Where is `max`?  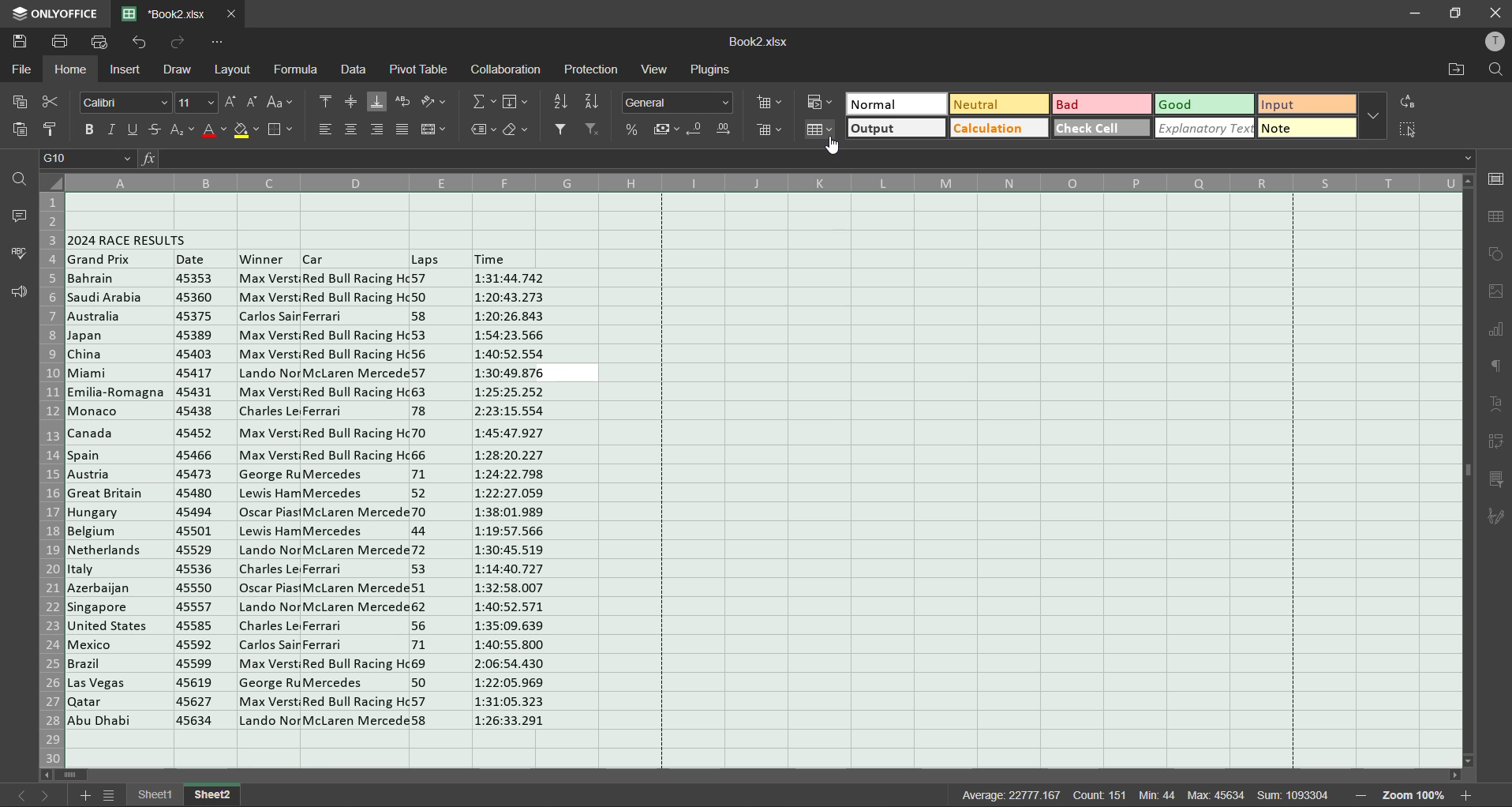
max is located at coordinates (1215, 794).